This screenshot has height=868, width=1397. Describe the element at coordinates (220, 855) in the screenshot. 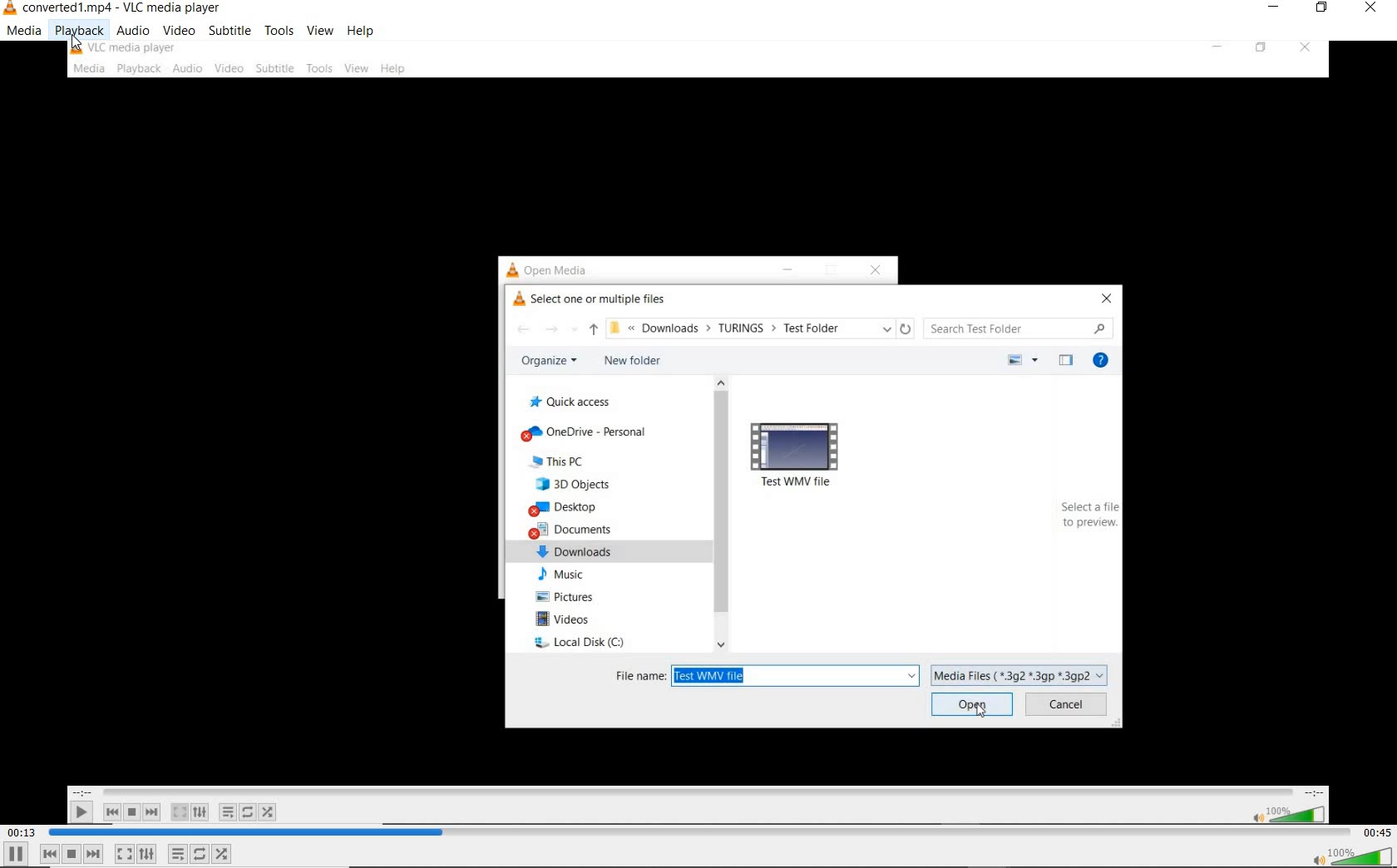

I see `random` at that location.